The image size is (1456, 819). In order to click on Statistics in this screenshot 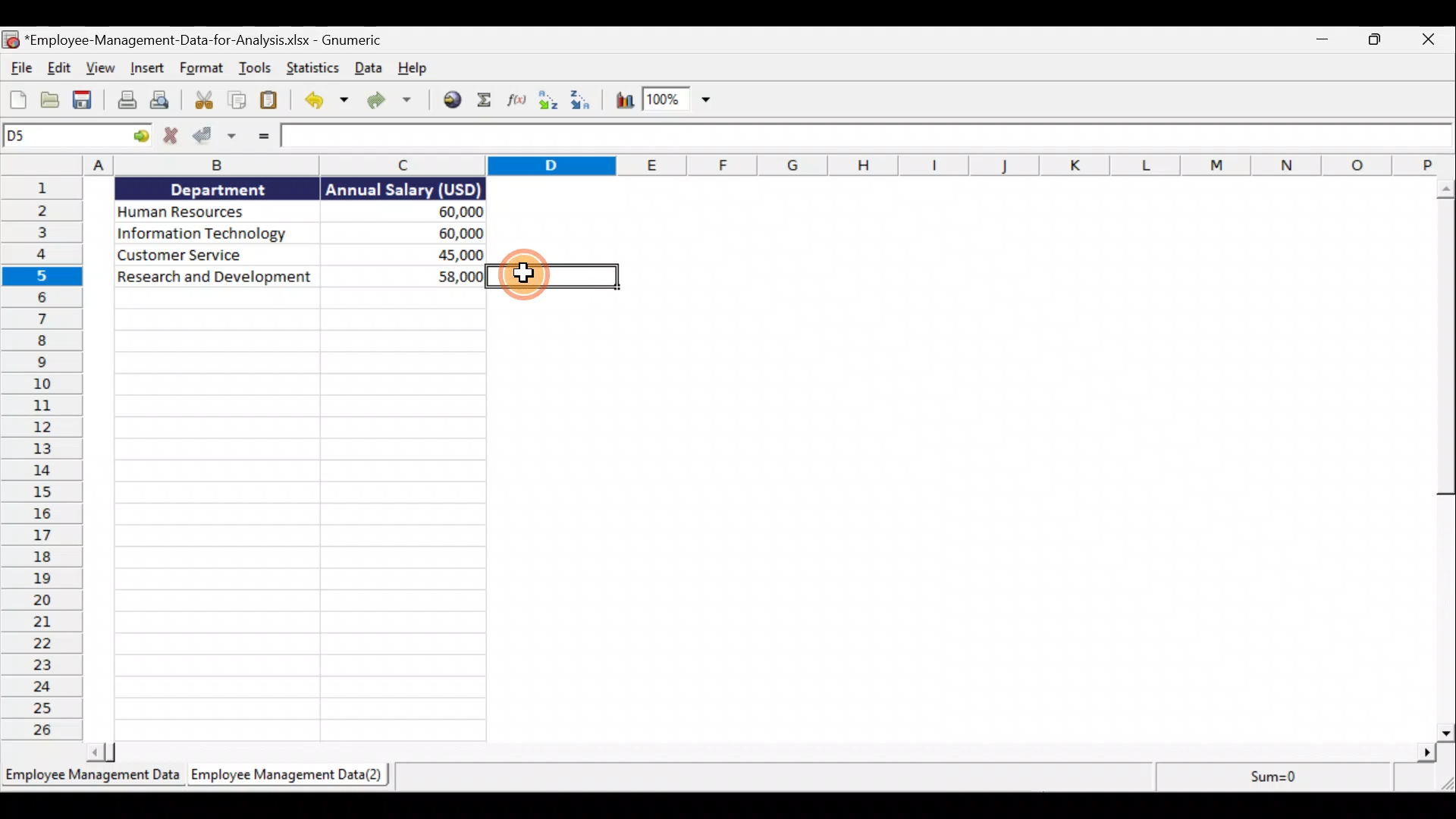, I will do `click(315, 68)`.